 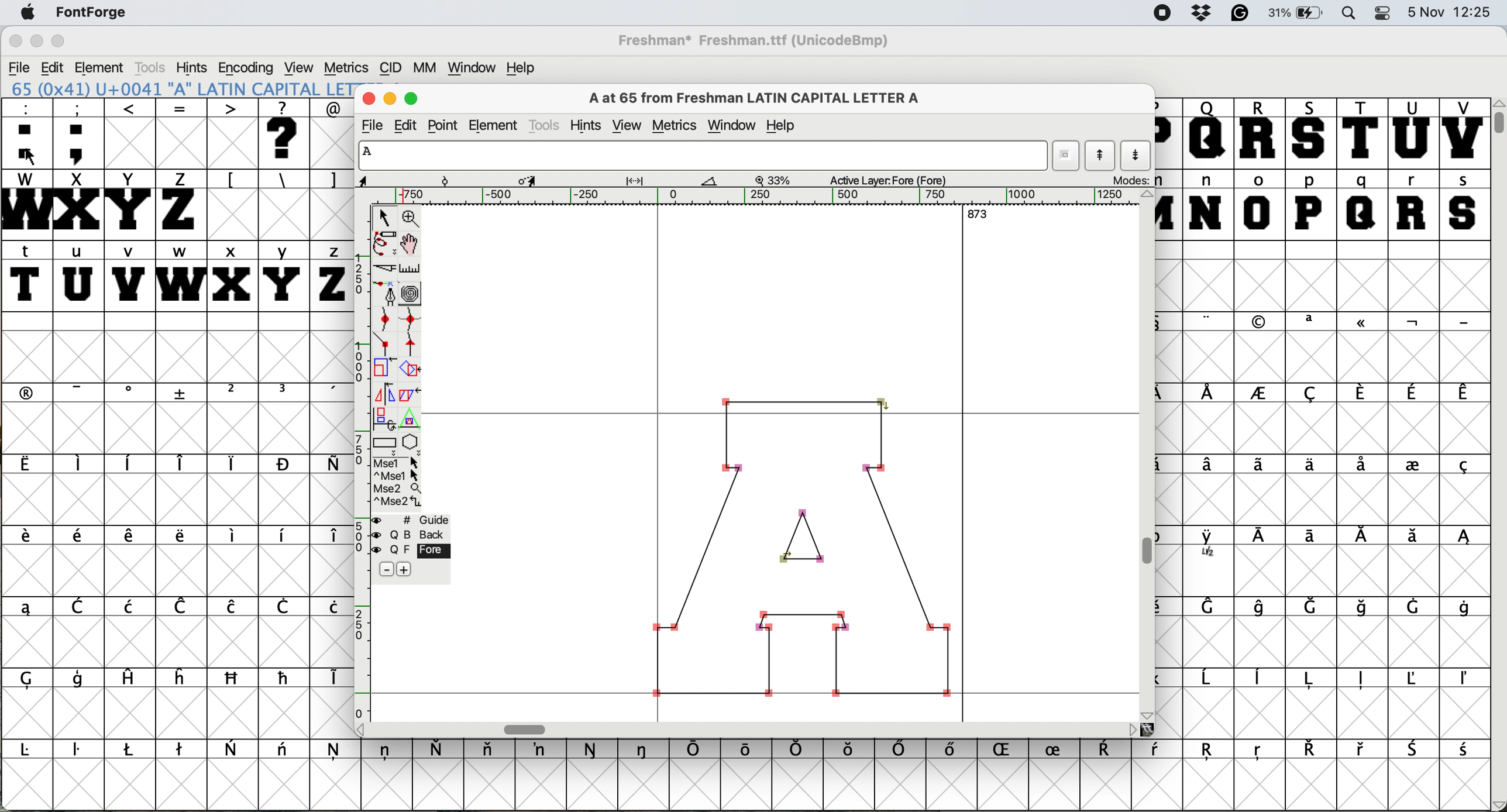 I want to click on current word list, so click(x=1065, y=156).